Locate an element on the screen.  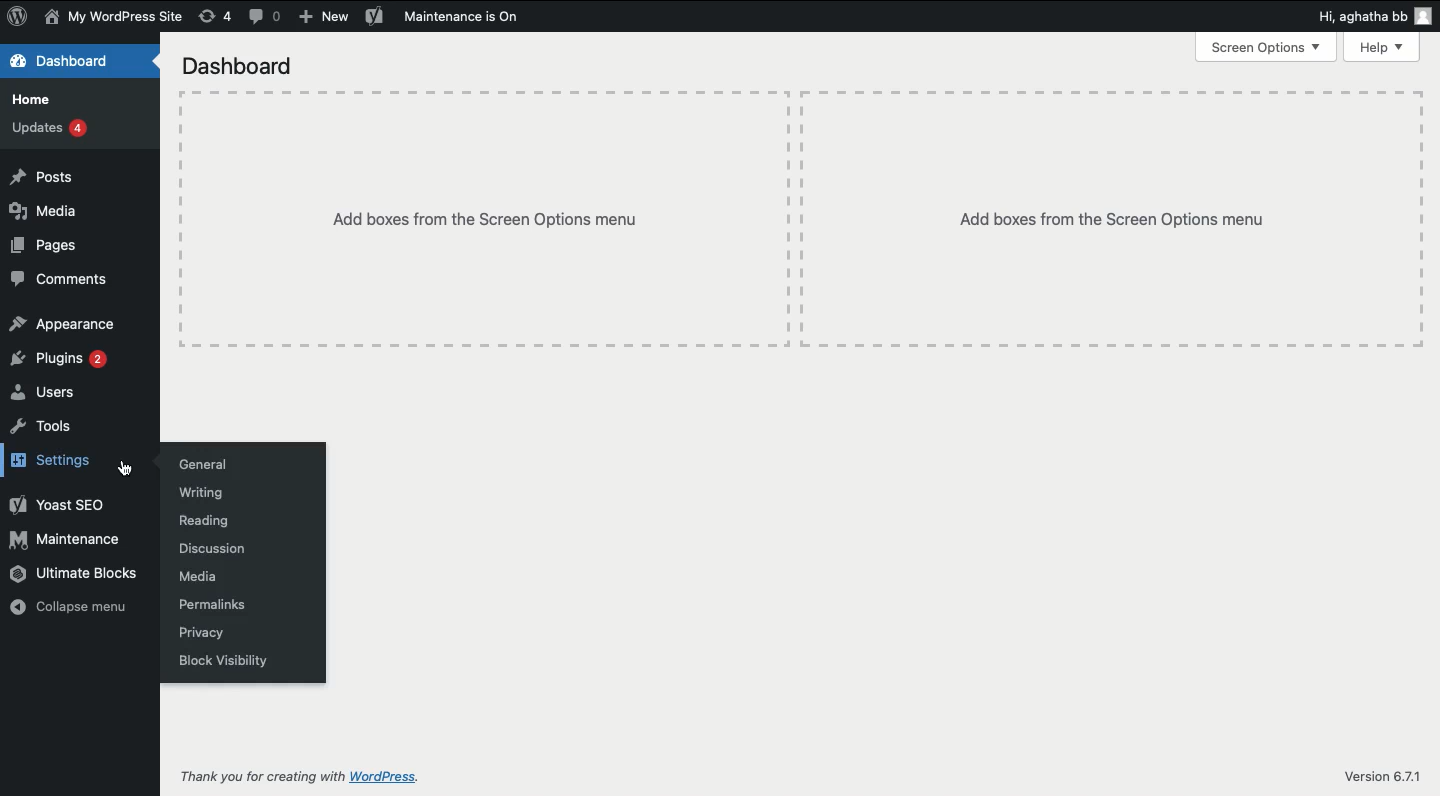
yoast seo is located at coordinates (61, 504).